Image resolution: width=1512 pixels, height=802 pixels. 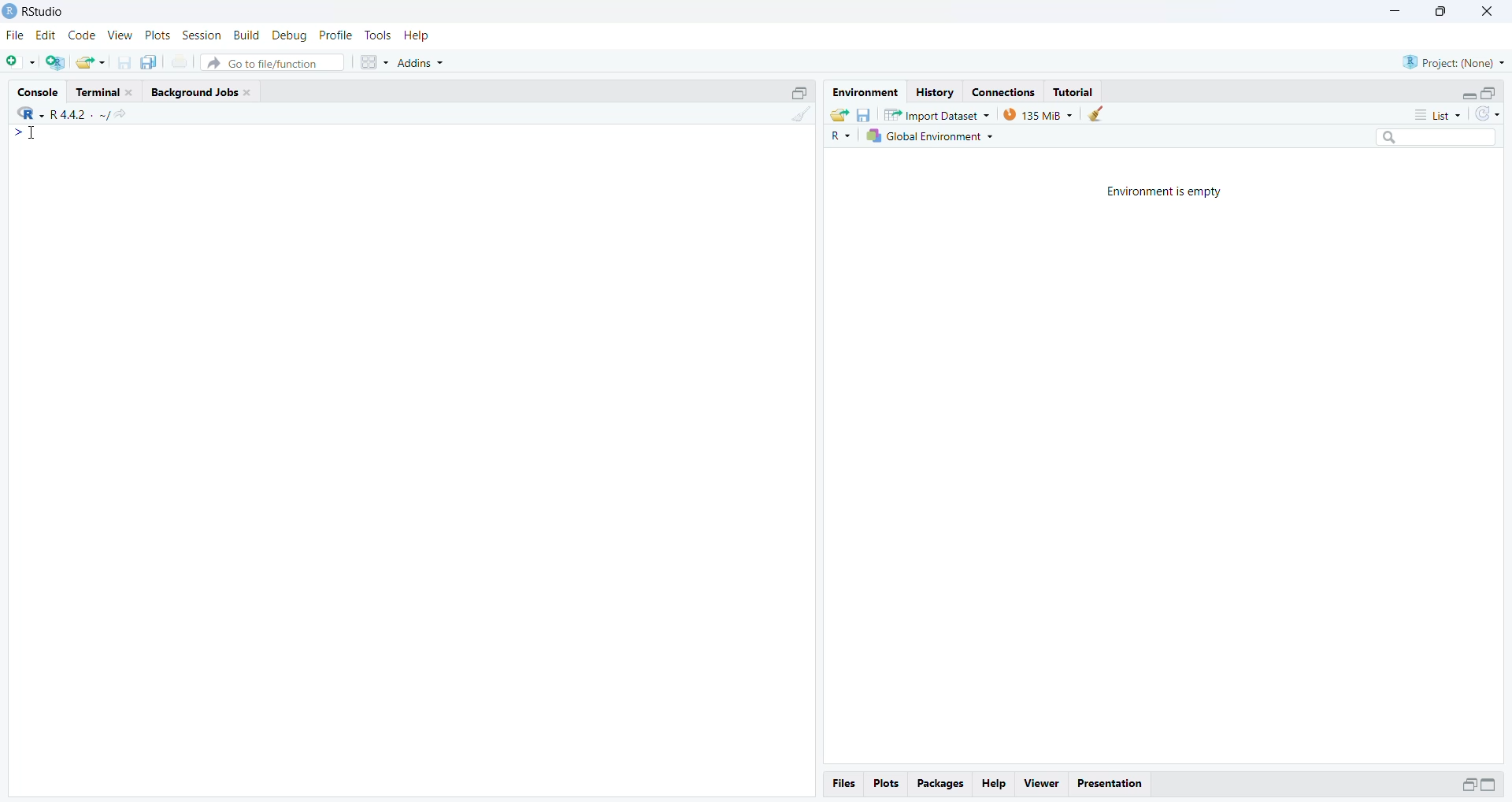 I want to click on Workspace panes, so click(x=373, y=61).